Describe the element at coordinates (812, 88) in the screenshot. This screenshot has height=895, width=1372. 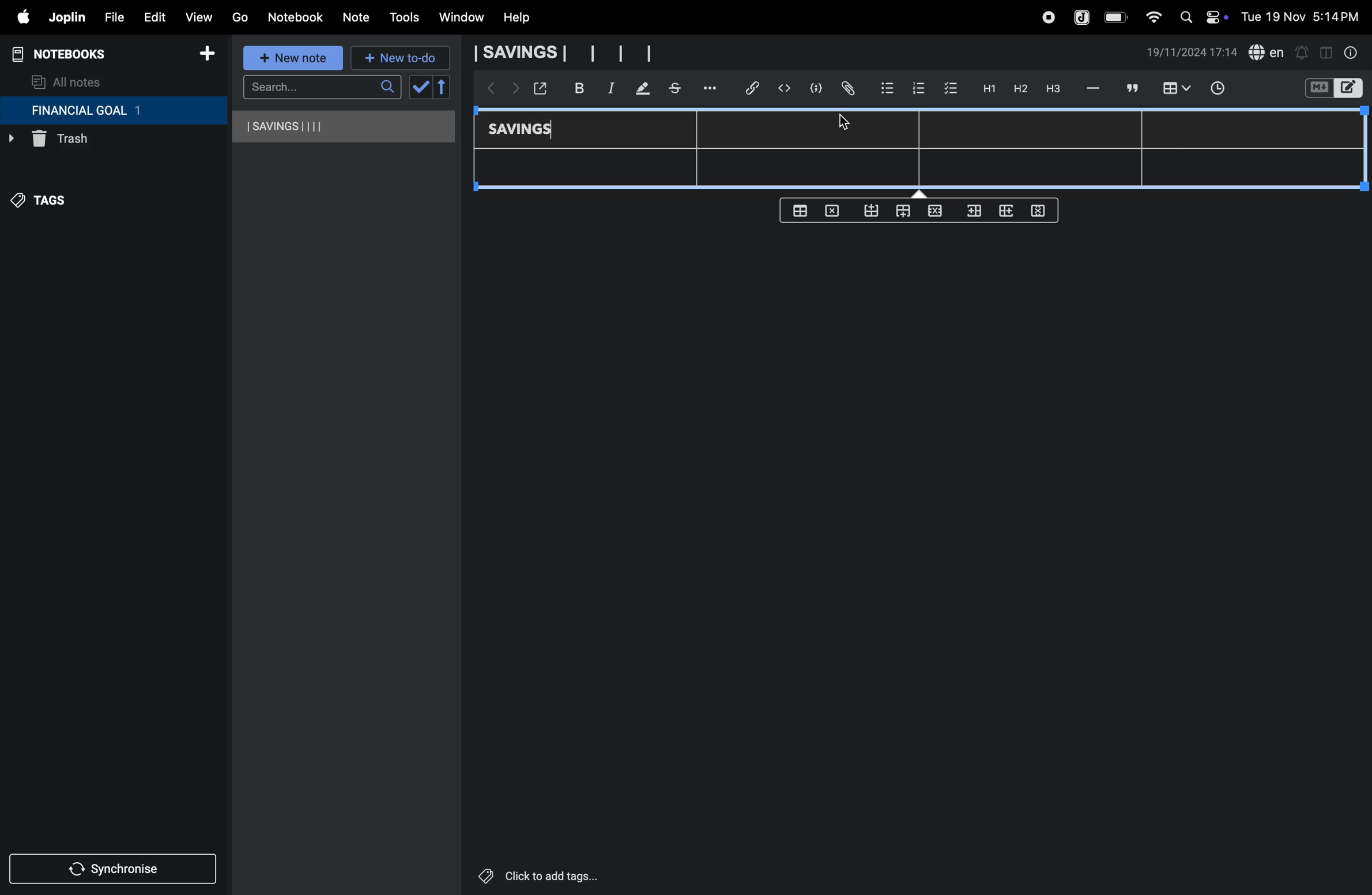
I see `code block` at that location.